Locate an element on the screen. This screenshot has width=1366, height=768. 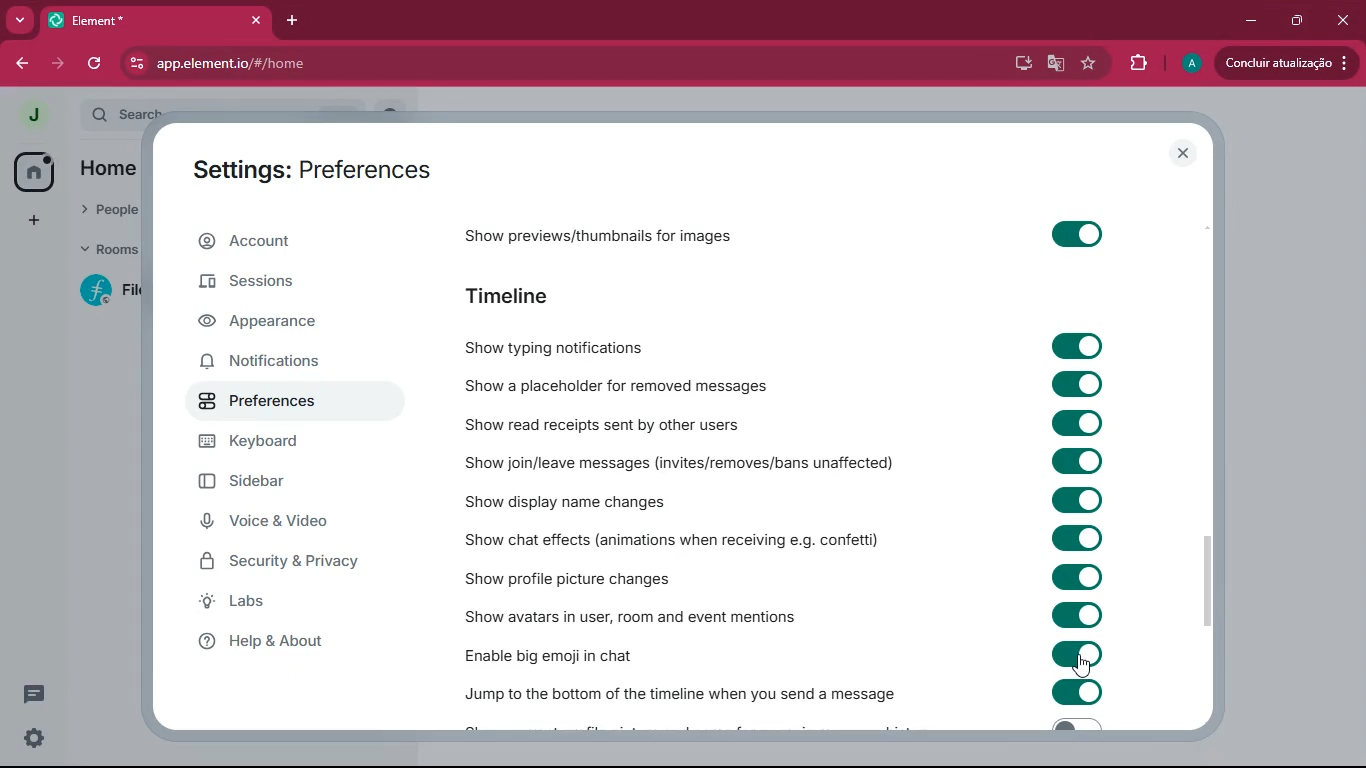
timeline is located at coordinates (511, 297).